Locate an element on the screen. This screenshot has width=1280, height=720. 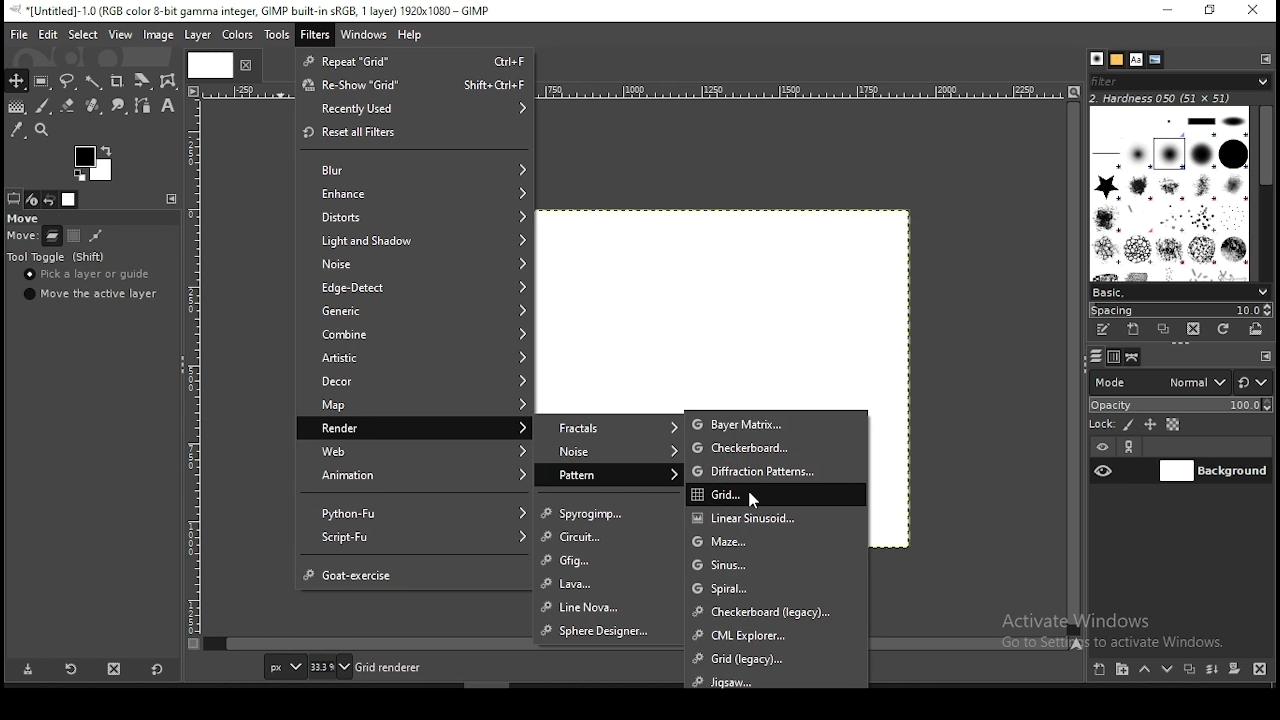
duplicate brush is located at coordinates (1166, 329).